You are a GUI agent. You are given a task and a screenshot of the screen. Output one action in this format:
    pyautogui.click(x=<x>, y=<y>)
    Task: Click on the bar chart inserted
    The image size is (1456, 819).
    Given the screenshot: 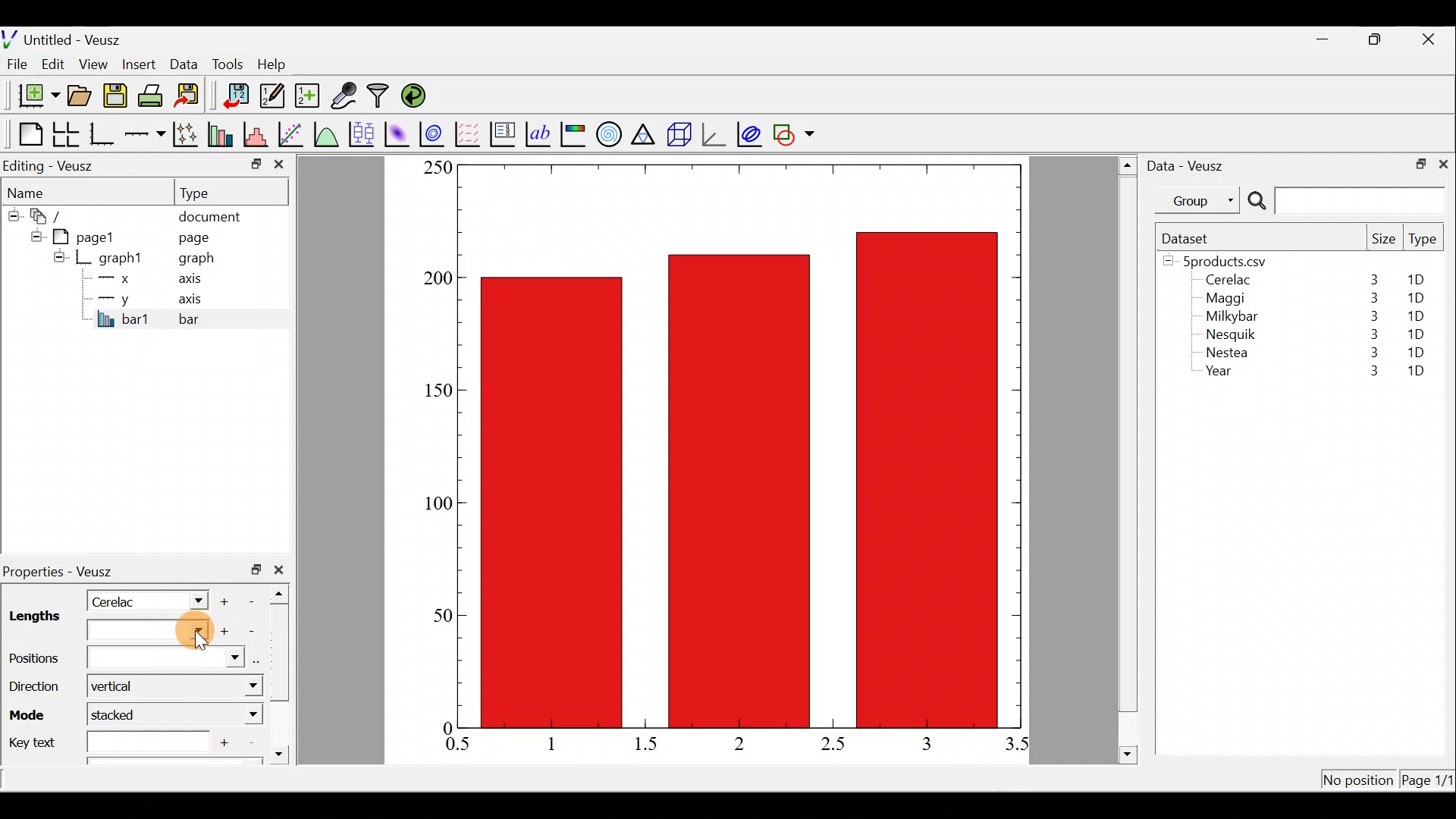 What is the action you would take?
    pyautogui.click(x=741, y=444)
    